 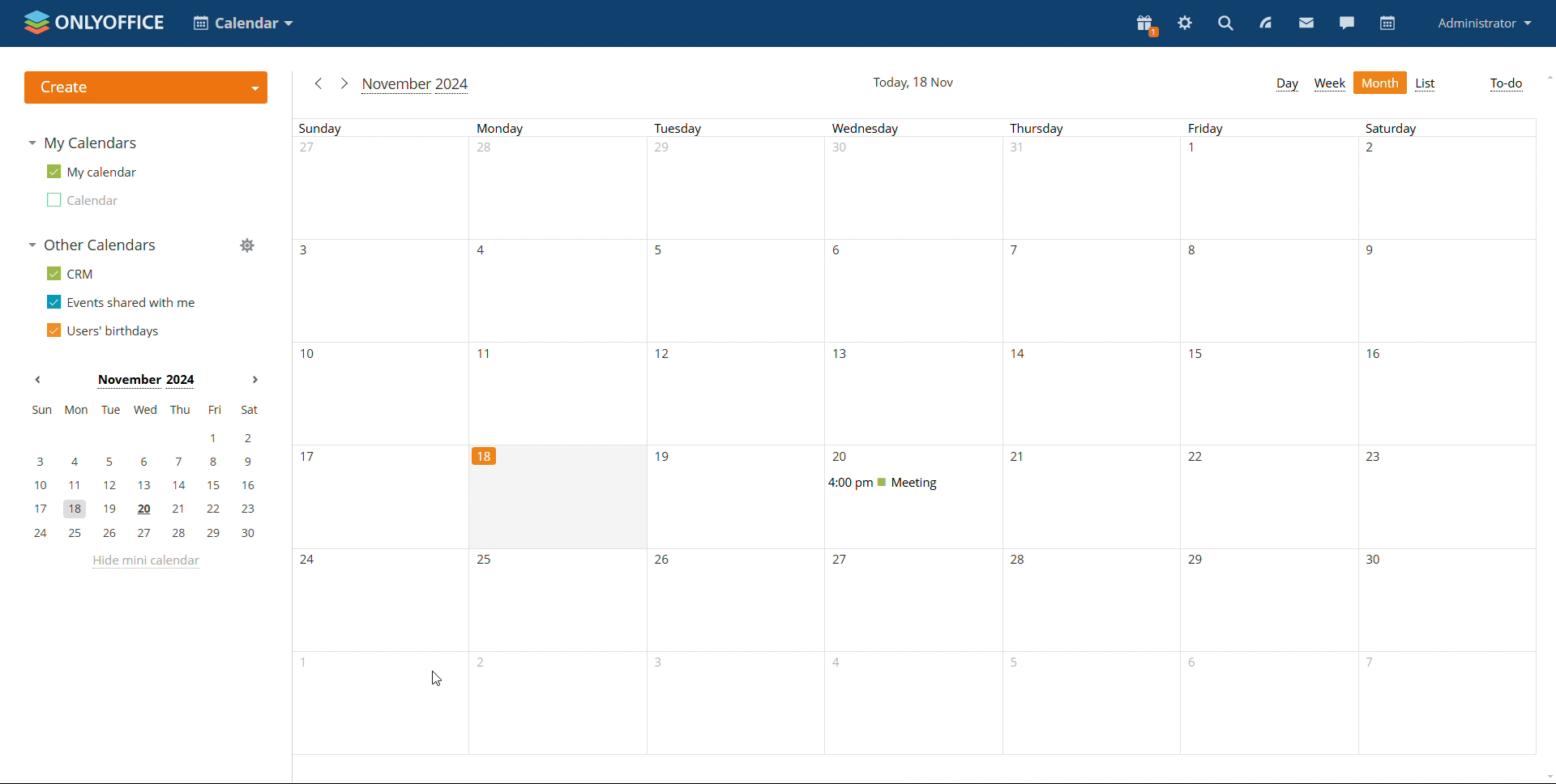 What do you see at coordinates (417, 87) in the screenshot?
I see `current month` at bounding box center [417, 87].